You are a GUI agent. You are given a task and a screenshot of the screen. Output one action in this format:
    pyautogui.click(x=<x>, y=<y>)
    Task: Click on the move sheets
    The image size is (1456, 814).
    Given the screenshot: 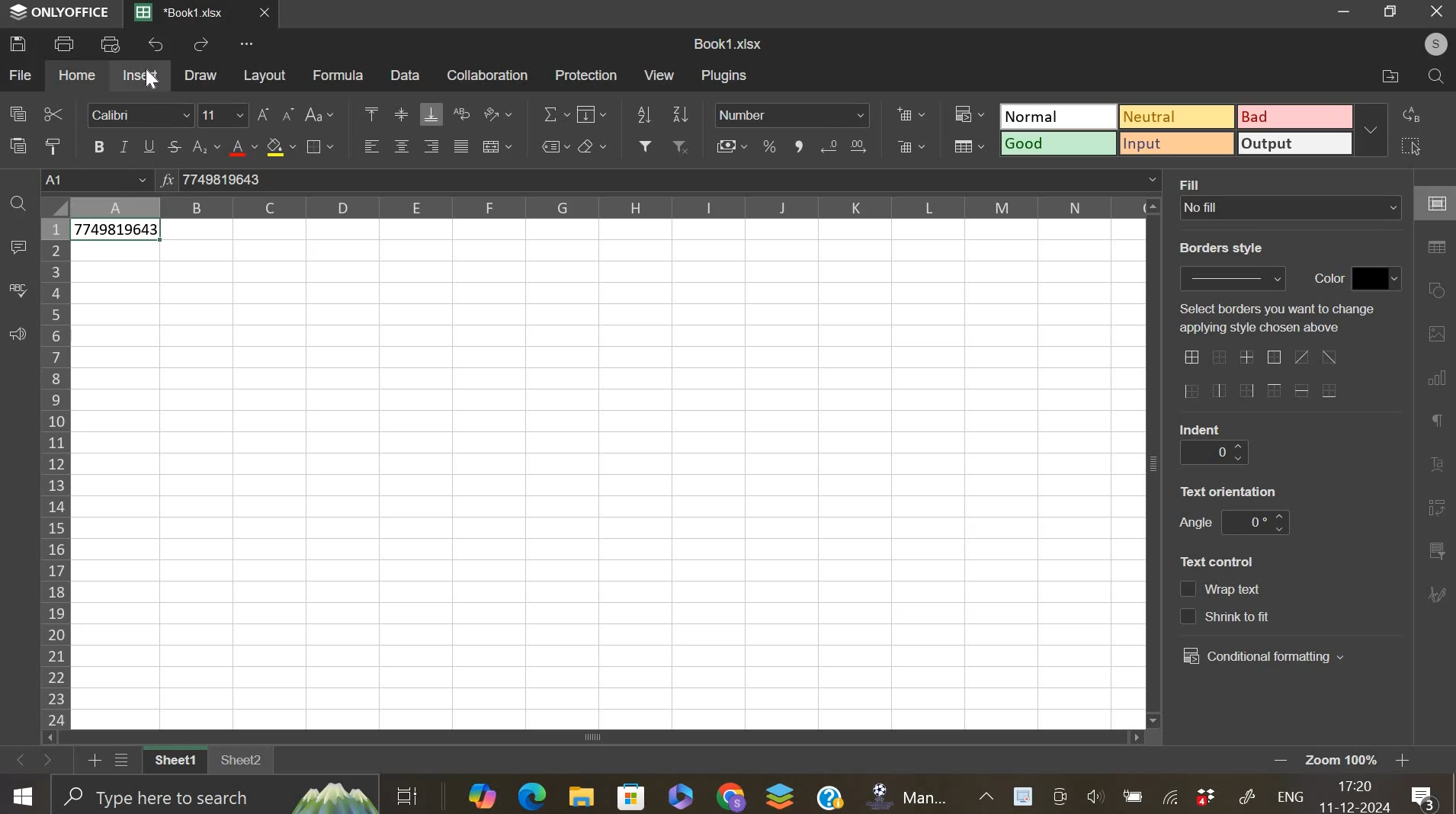 What is the action you would take?
    pyautogui.click(x=36, y=759)
    